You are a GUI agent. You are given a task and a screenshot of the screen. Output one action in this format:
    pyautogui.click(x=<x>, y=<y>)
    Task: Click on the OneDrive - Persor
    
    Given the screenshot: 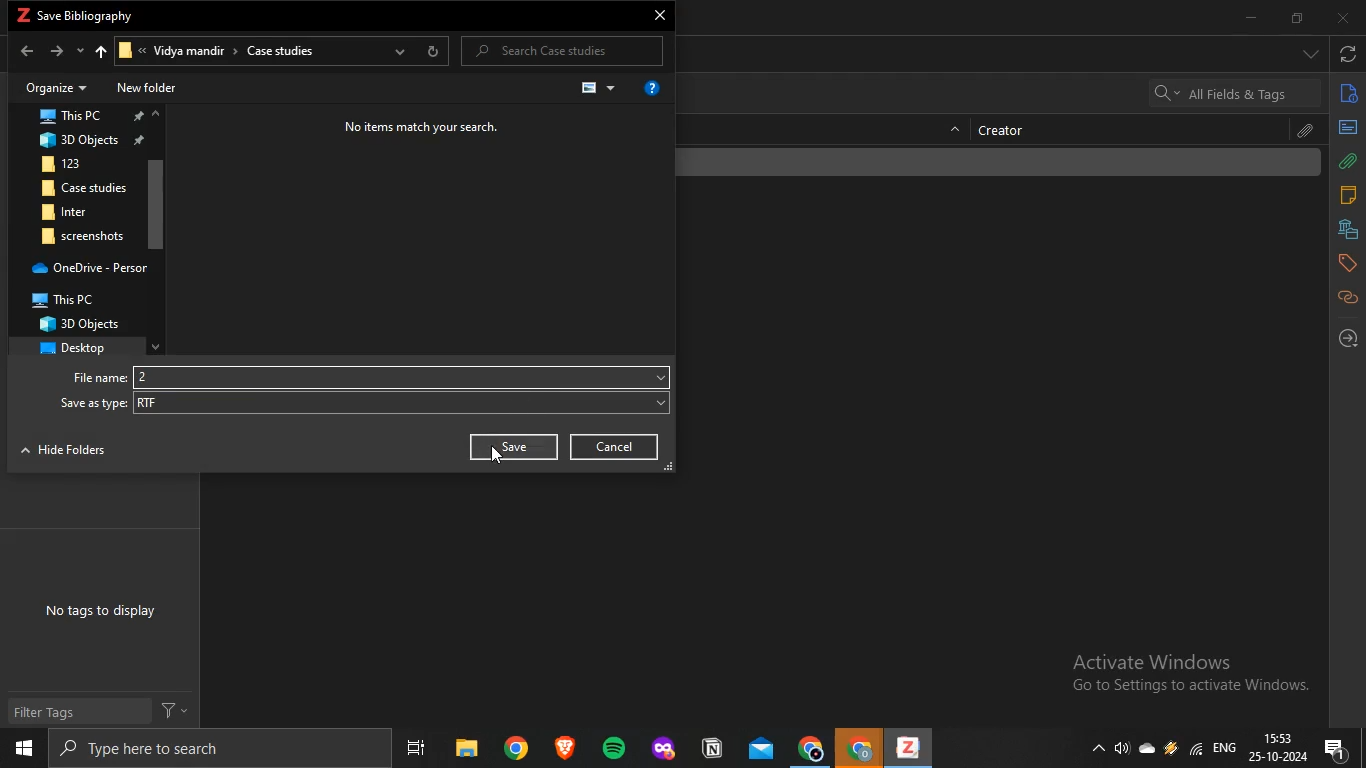 What is the action you would take?
    pyautogui.click(x=93, y=270)
    